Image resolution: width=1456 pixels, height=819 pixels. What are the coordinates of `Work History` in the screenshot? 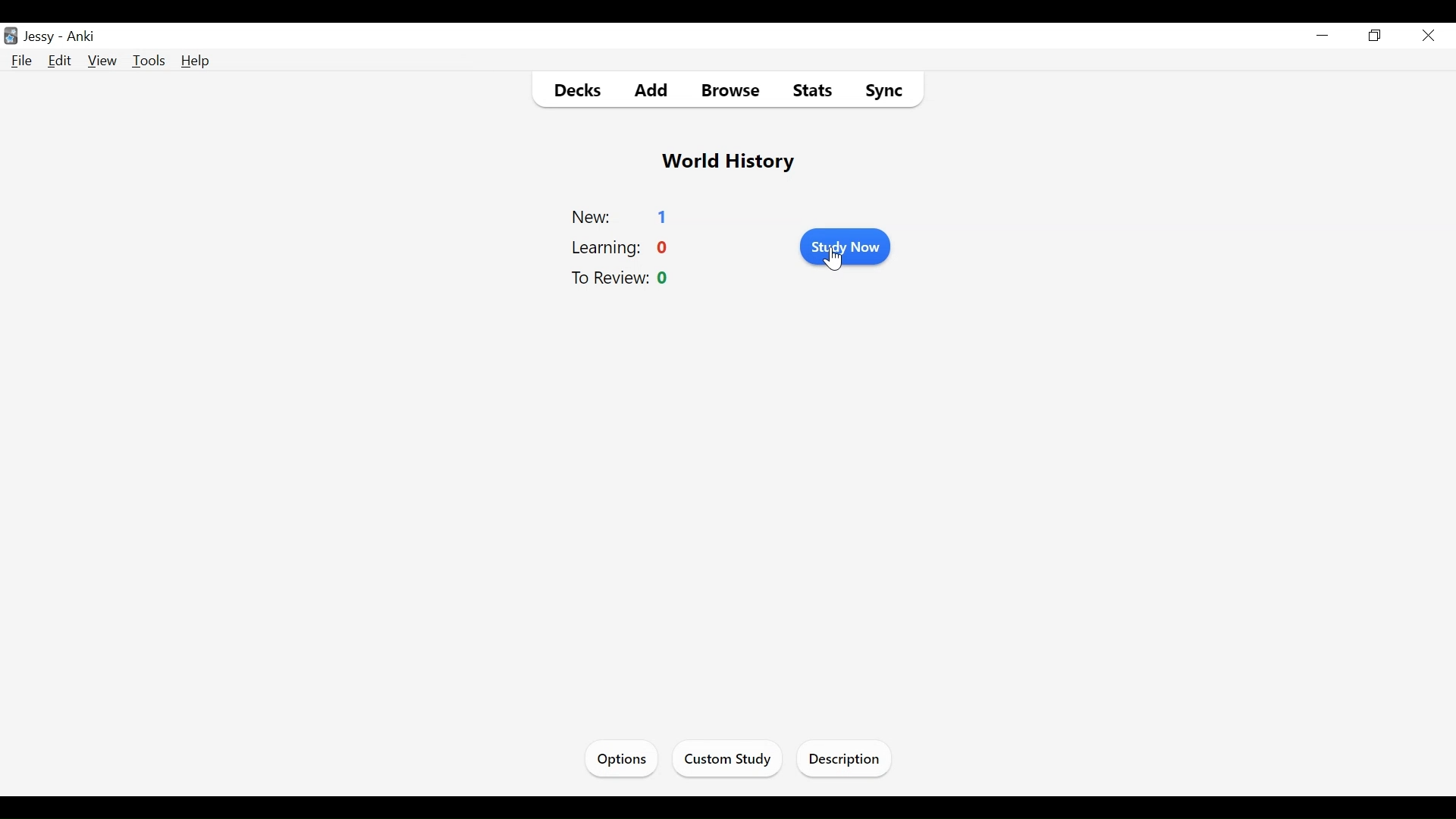 It's located at (727, 162).